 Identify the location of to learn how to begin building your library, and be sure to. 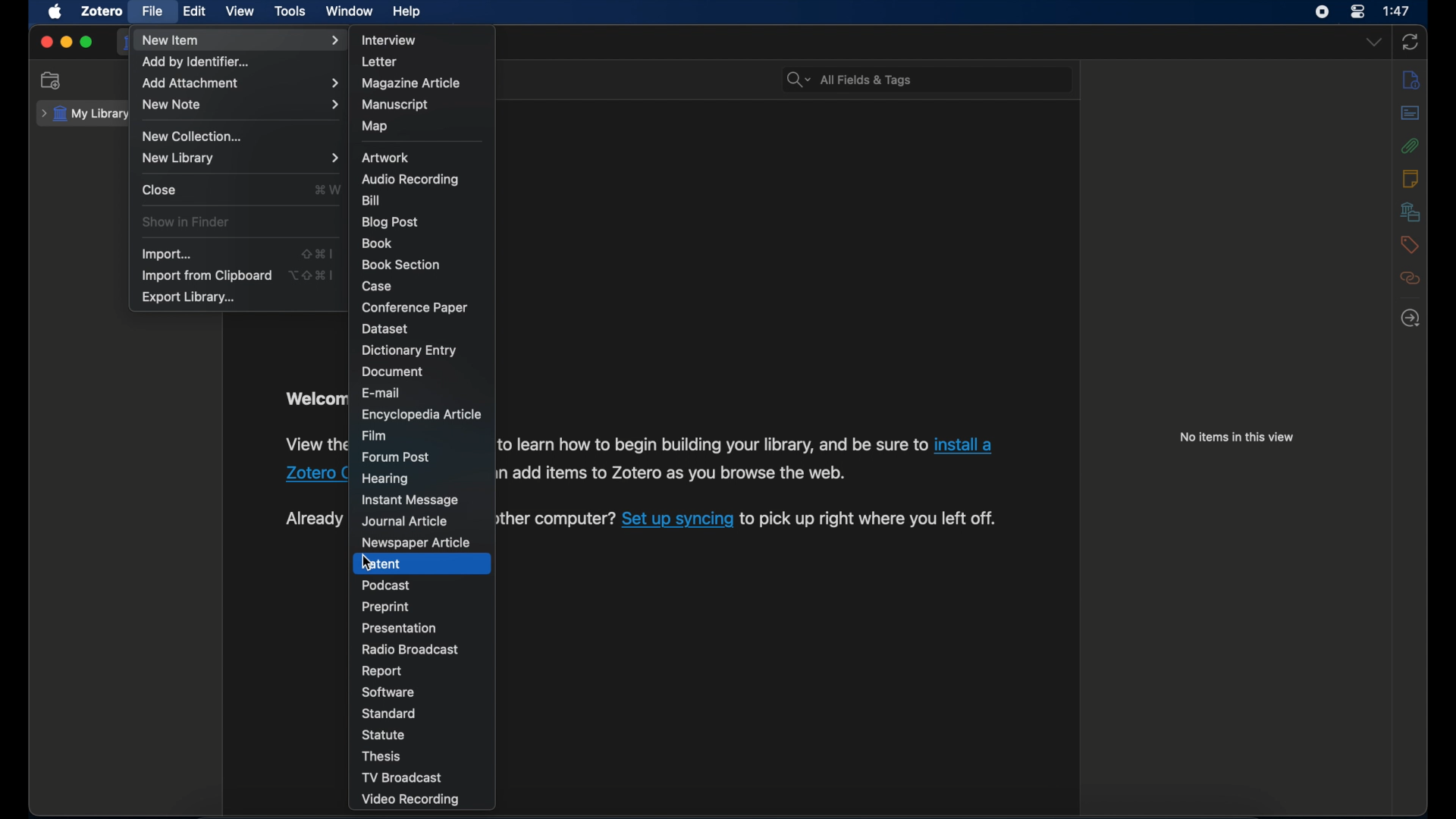
(713, 442).